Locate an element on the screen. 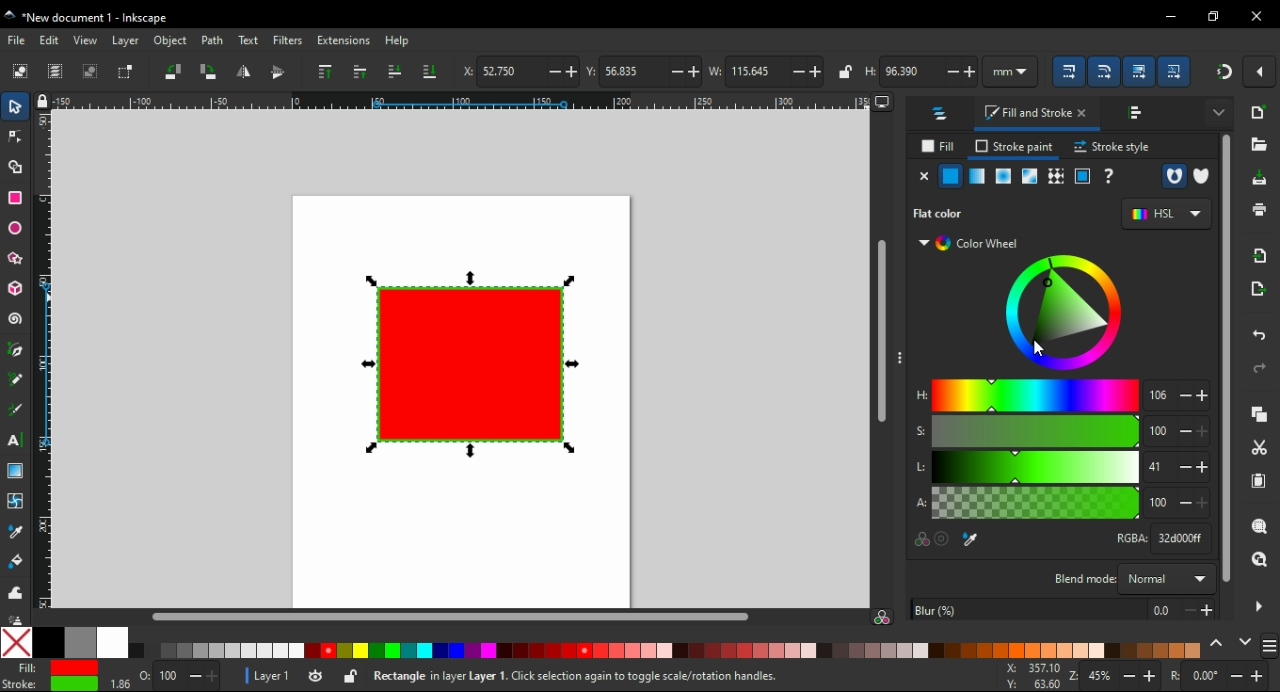 This screenshot has width=1280, height=692. extensions is located at coordinates (342, 41).